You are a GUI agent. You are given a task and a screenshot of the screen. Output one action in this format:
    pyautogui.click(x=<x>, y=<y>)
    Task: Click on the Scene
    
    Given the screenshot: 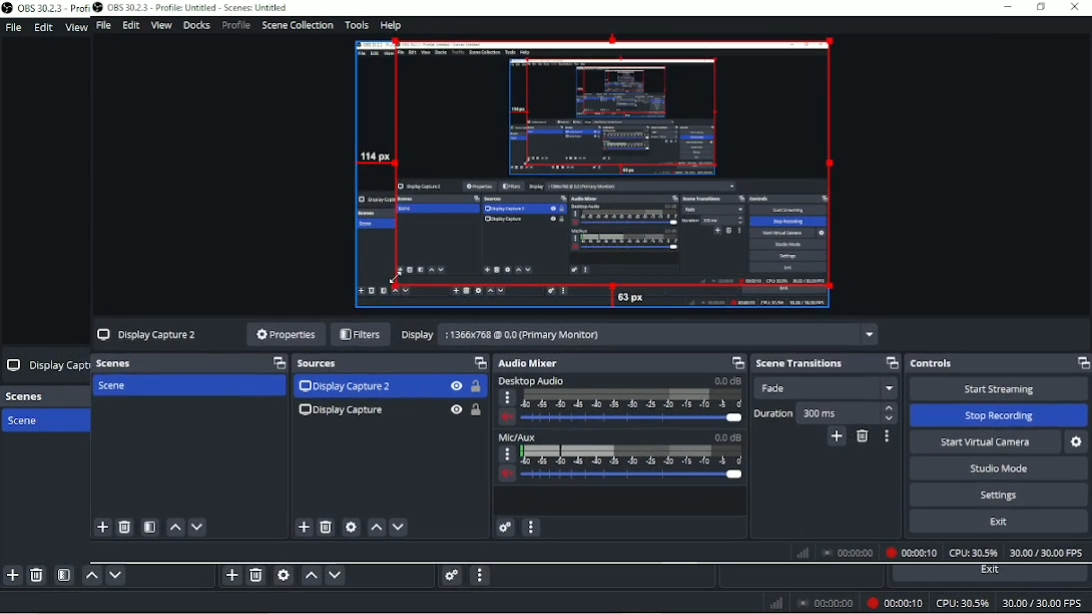 What is the action you would take?
    pyautogui.click(x=42, y=421)
    